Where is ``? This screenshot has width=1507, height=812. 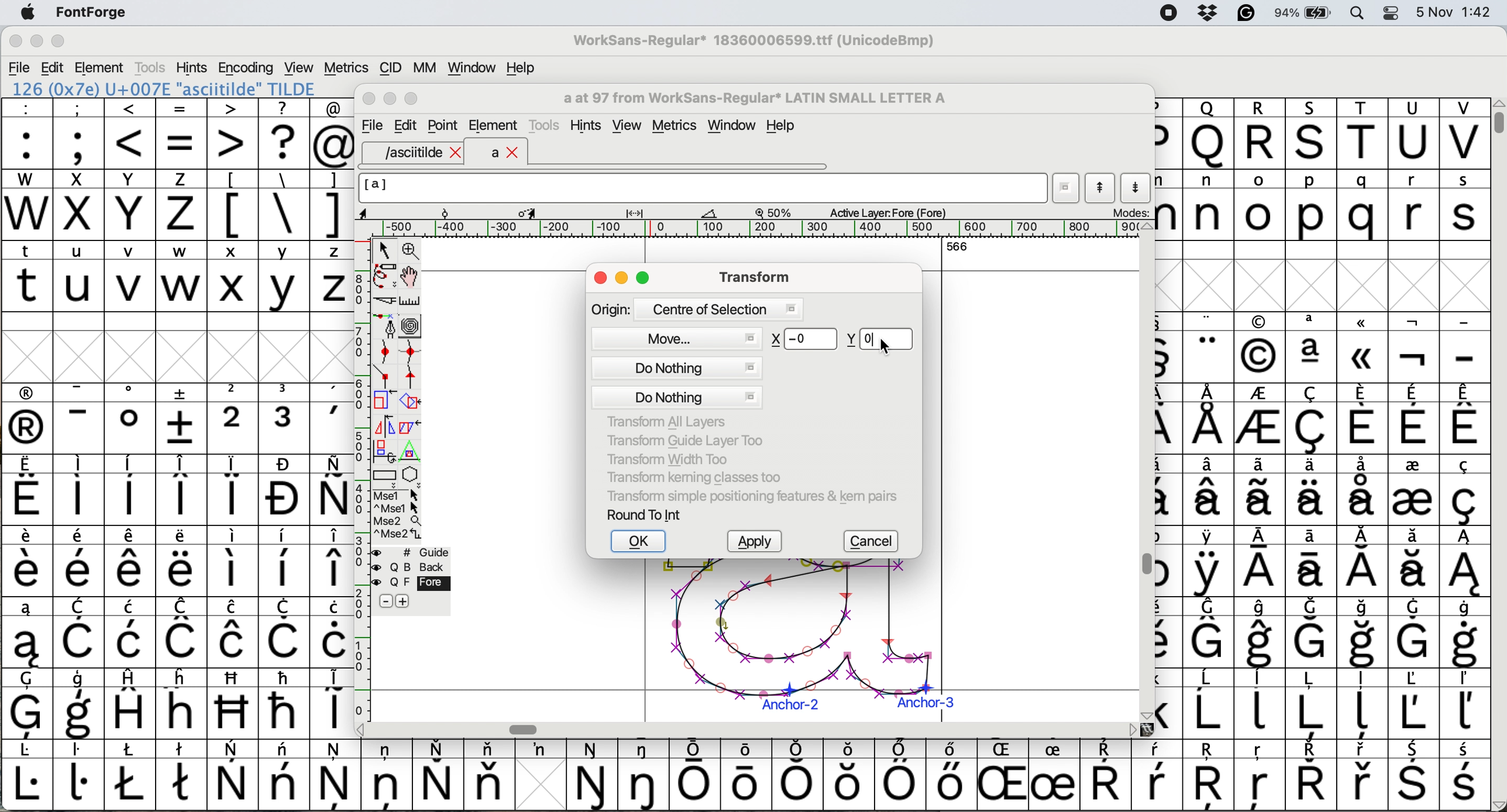
 is located at coordinates (1261, 776).